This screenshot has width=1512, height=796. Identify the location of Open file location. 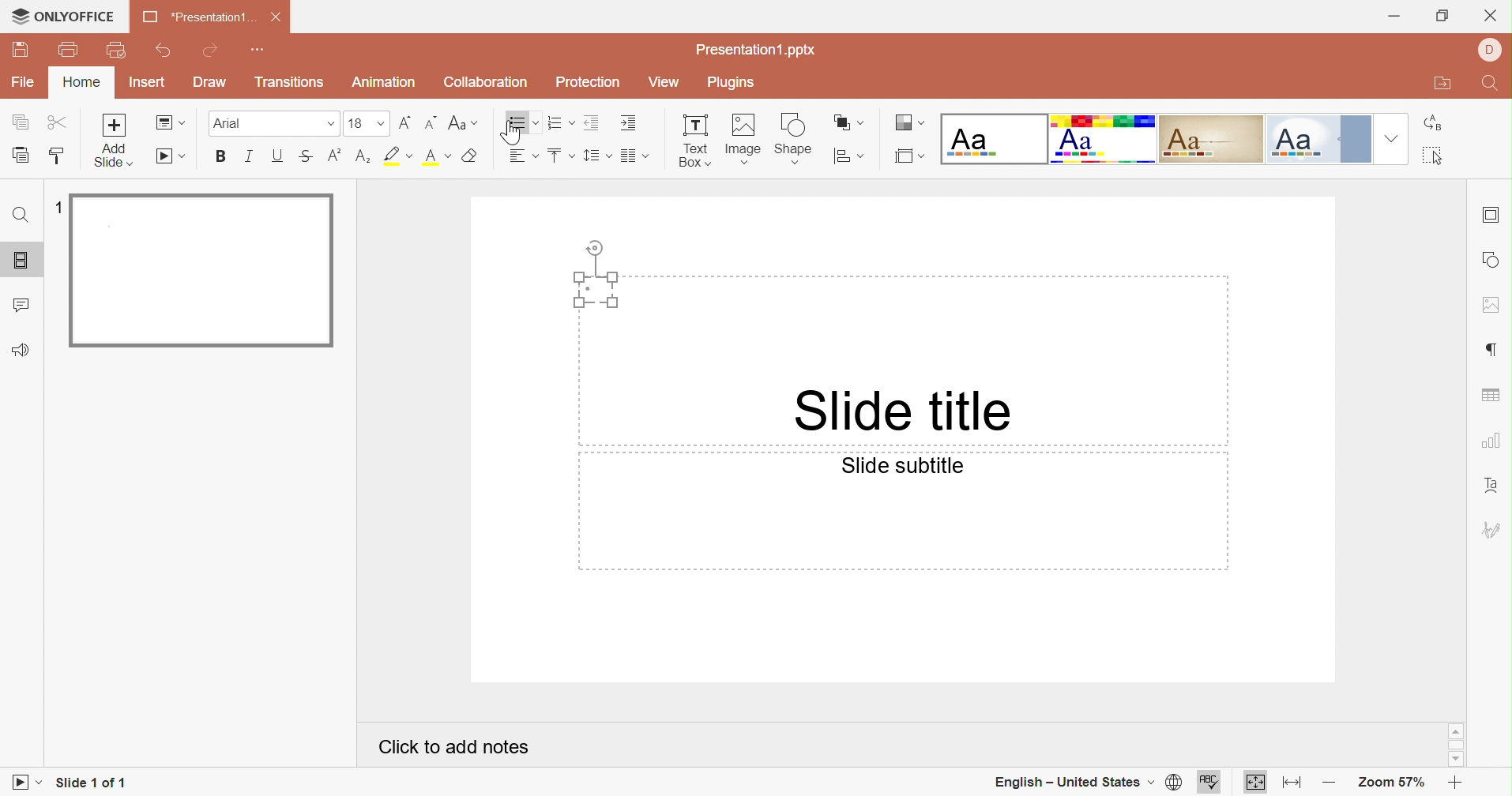
(1446, 86).